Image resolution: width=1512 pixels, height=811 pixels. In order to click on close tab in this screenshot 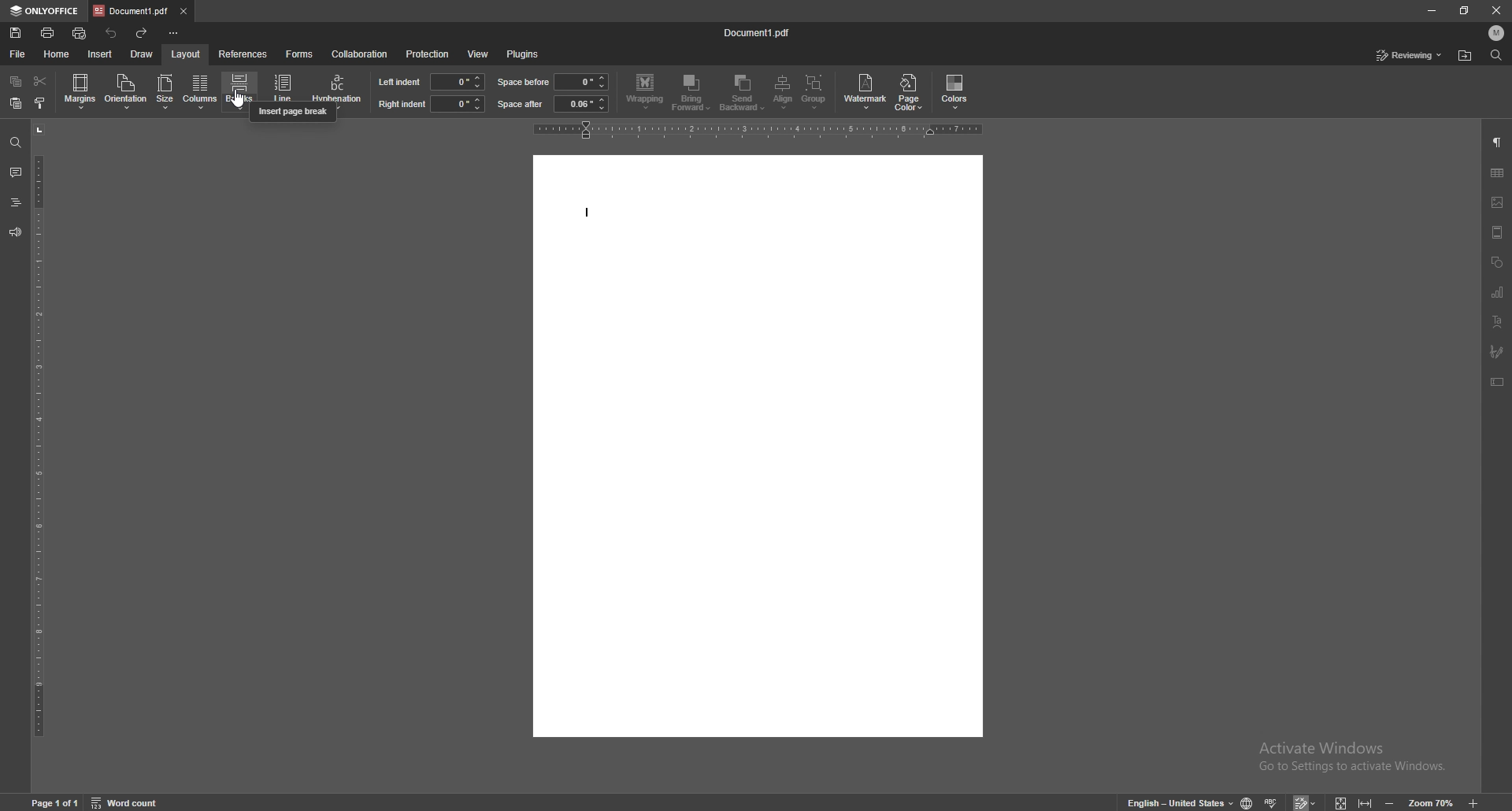, I will do `click(183, 10)`.